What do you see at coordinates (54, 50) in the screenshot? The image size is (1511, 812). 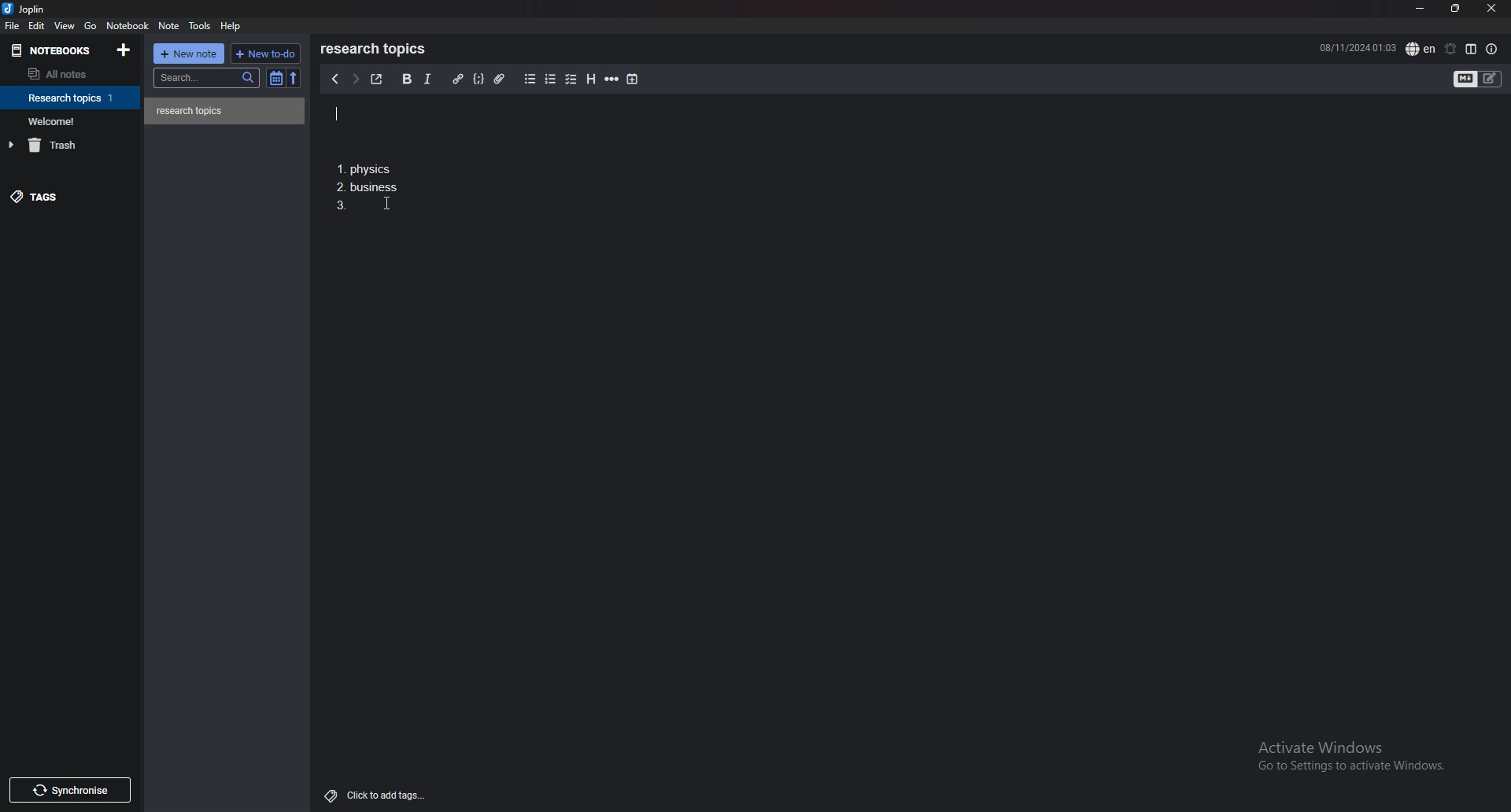 I see `notebooks` at bounding box center [54, 50].